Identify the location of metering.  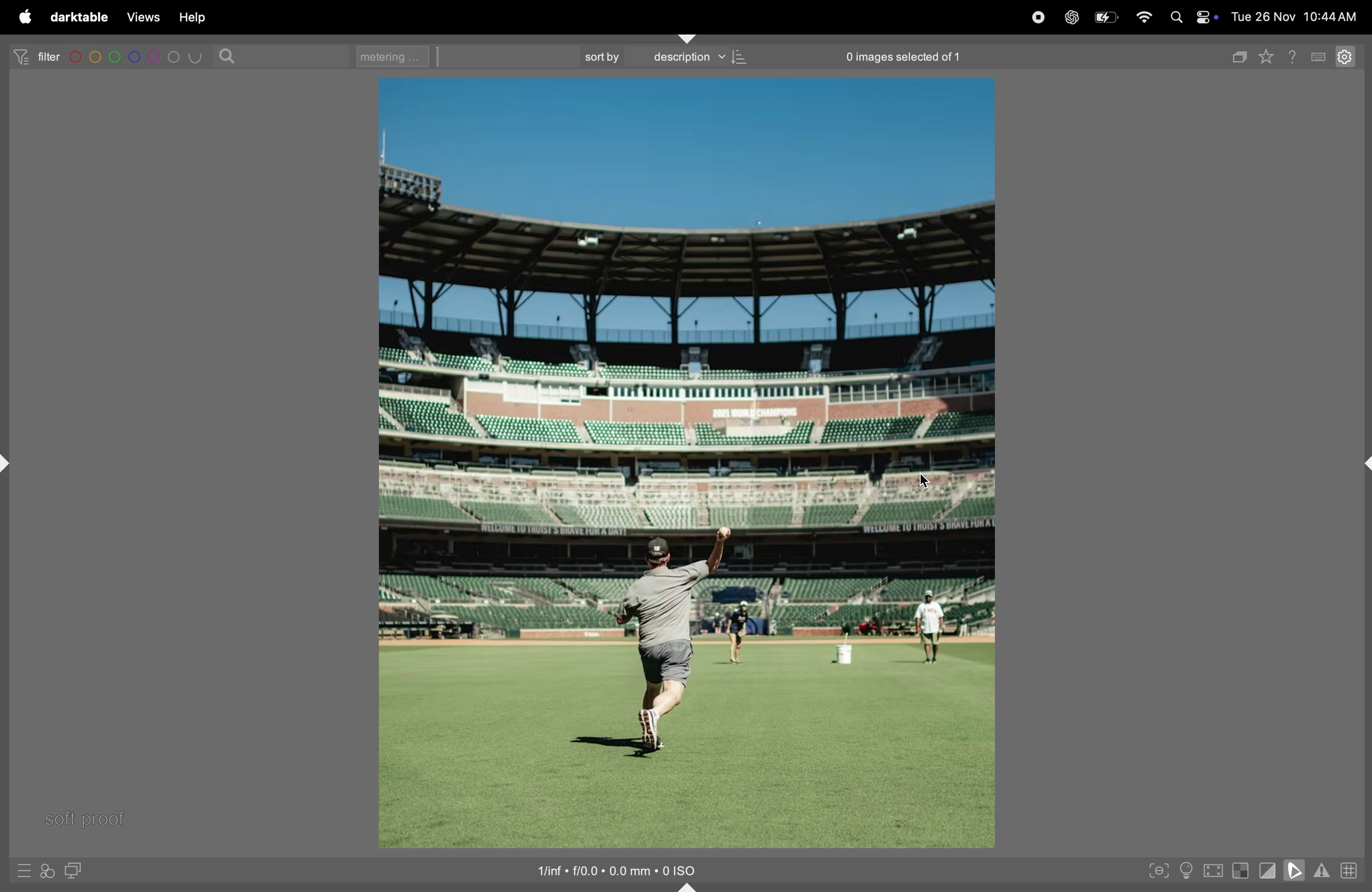
(404, 55).